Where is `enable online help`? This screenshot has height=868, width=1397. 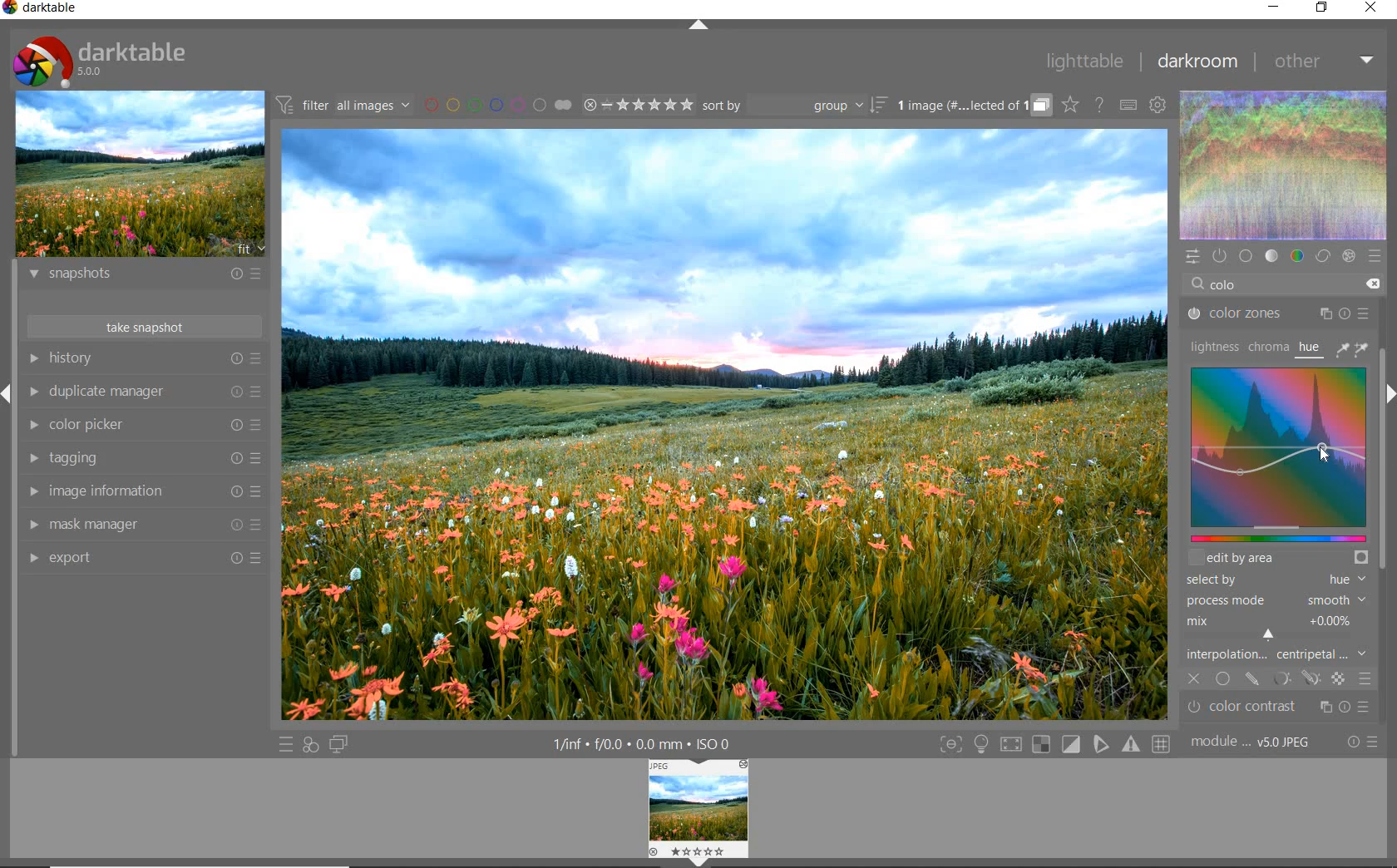
enable online help is located at coordinates (1100, 106).